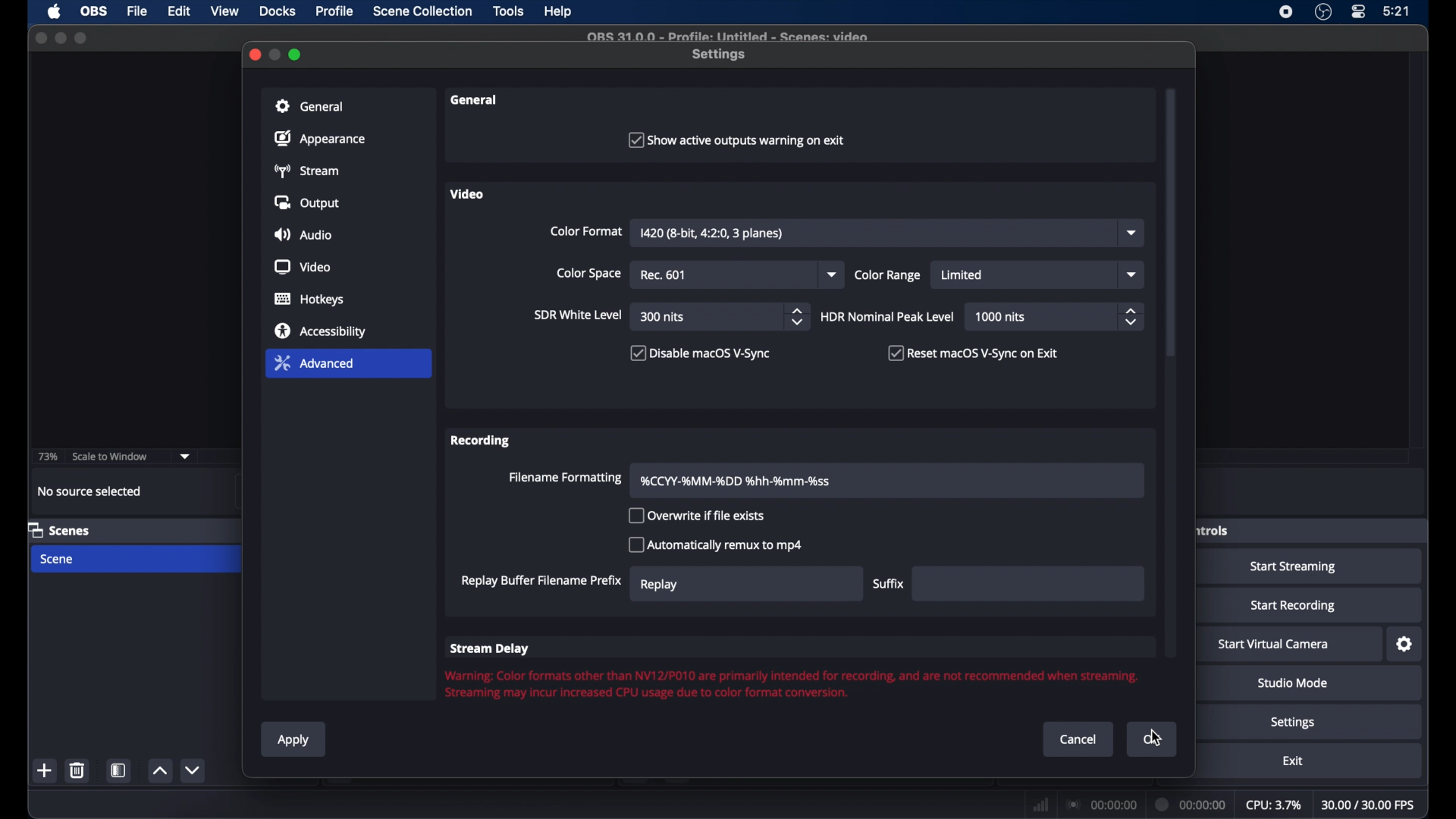 This screenshot has height=819, width=1456. What do you see at coordinates (303, 235) in the screenshot?
I see `audio` at bounding box center [303, 235].